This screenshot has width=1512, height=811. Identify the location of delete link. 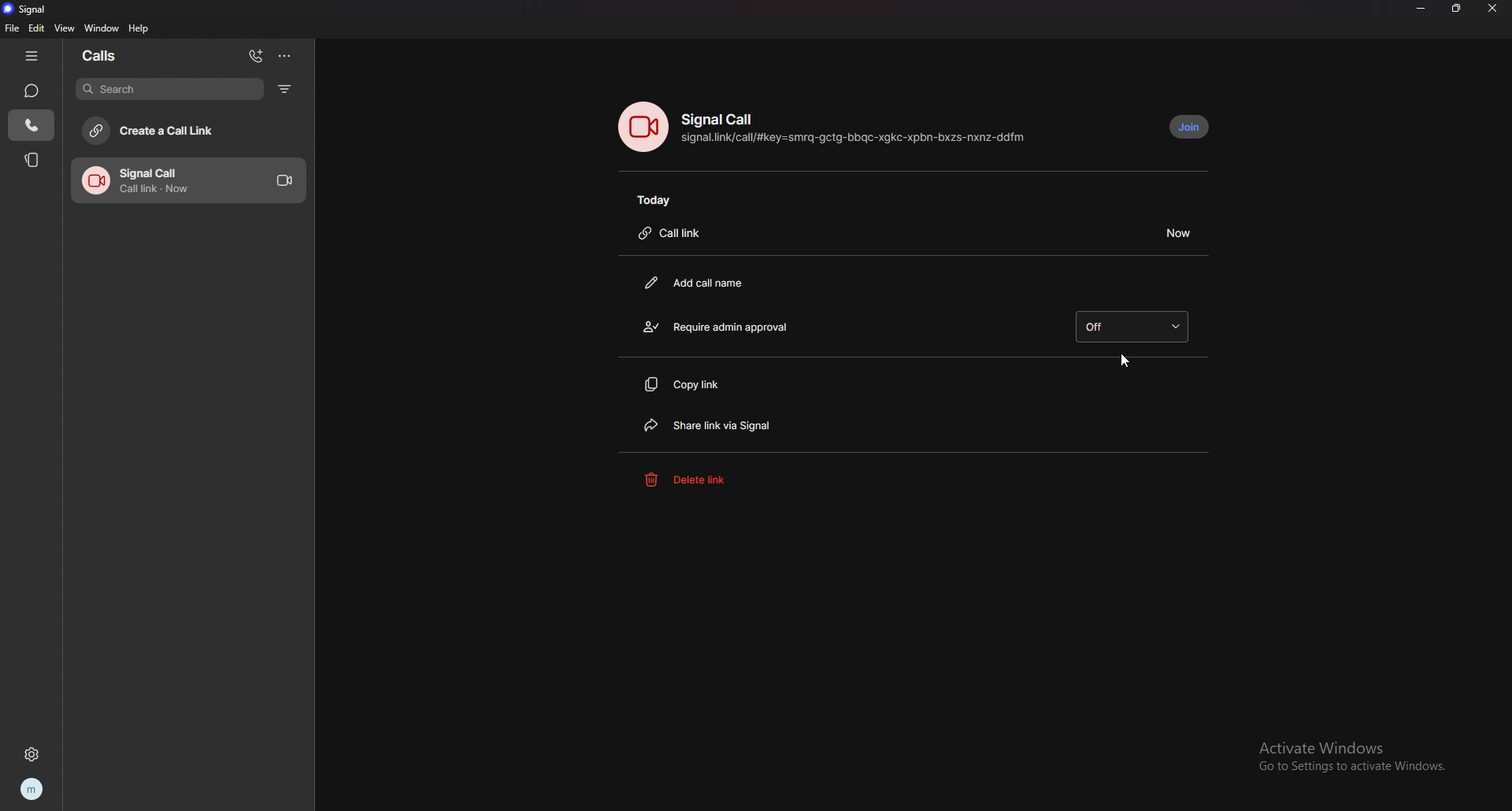
(710, 479).